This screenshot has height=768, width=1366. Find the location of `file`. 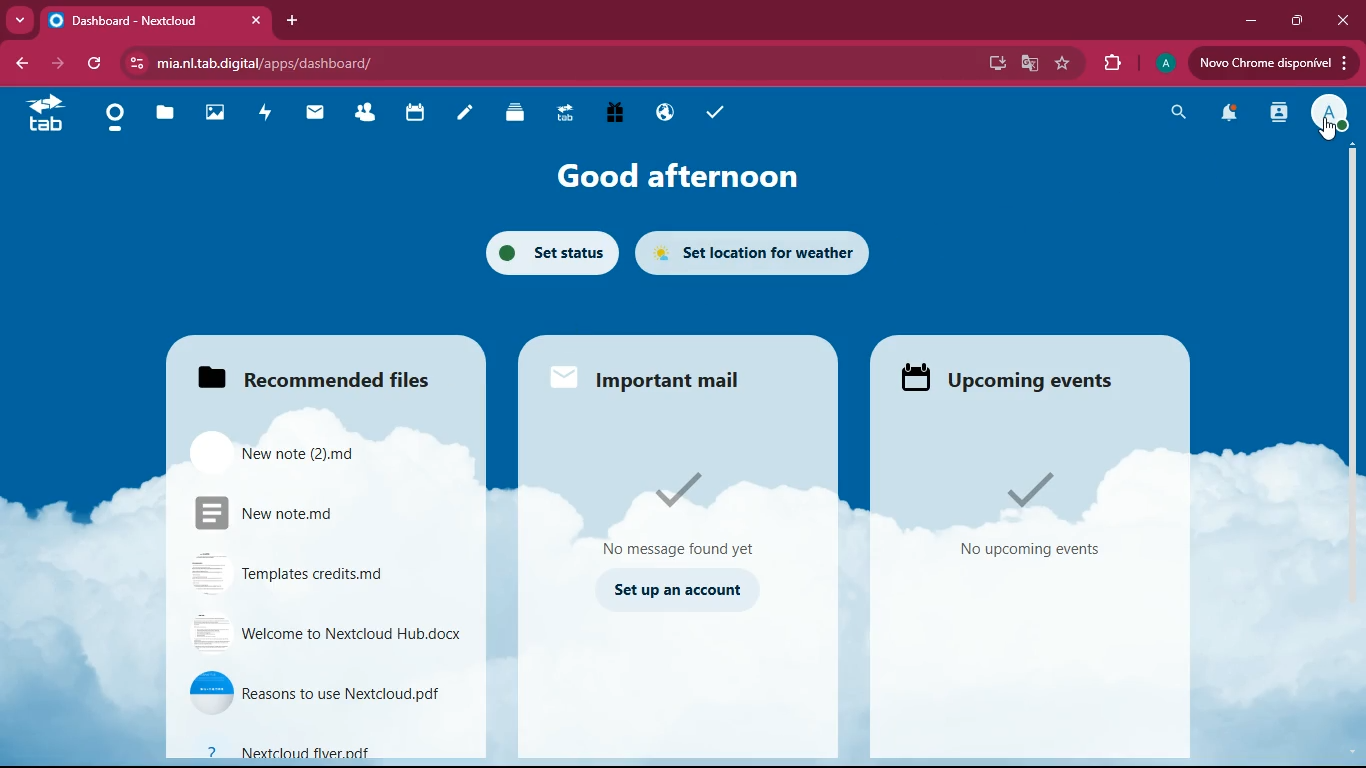

file is located at coordinates (324, 574).